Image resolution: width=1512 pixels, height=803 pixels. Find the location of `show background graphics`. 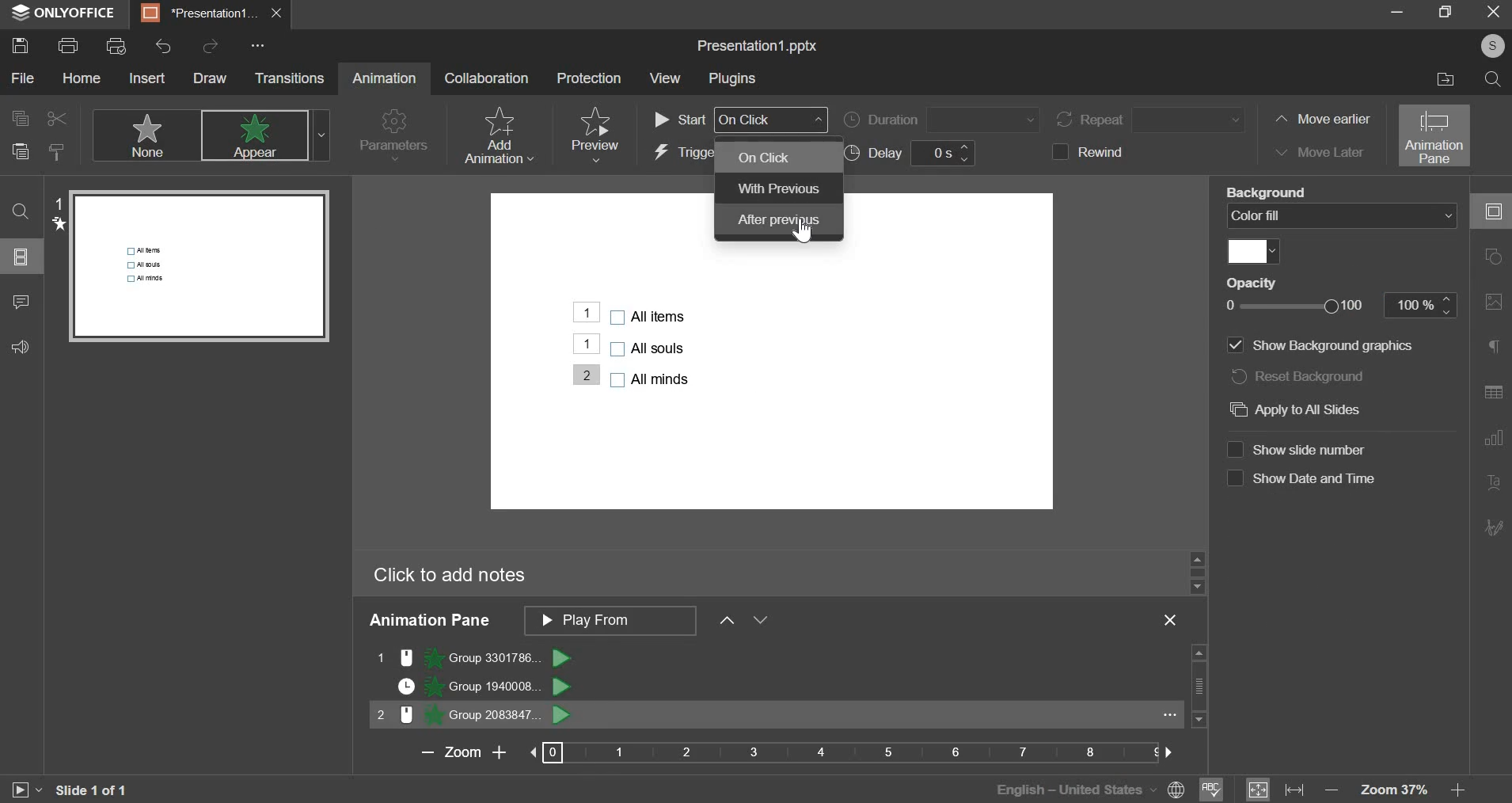

show background graphics is located at coordinates (1318, 347).